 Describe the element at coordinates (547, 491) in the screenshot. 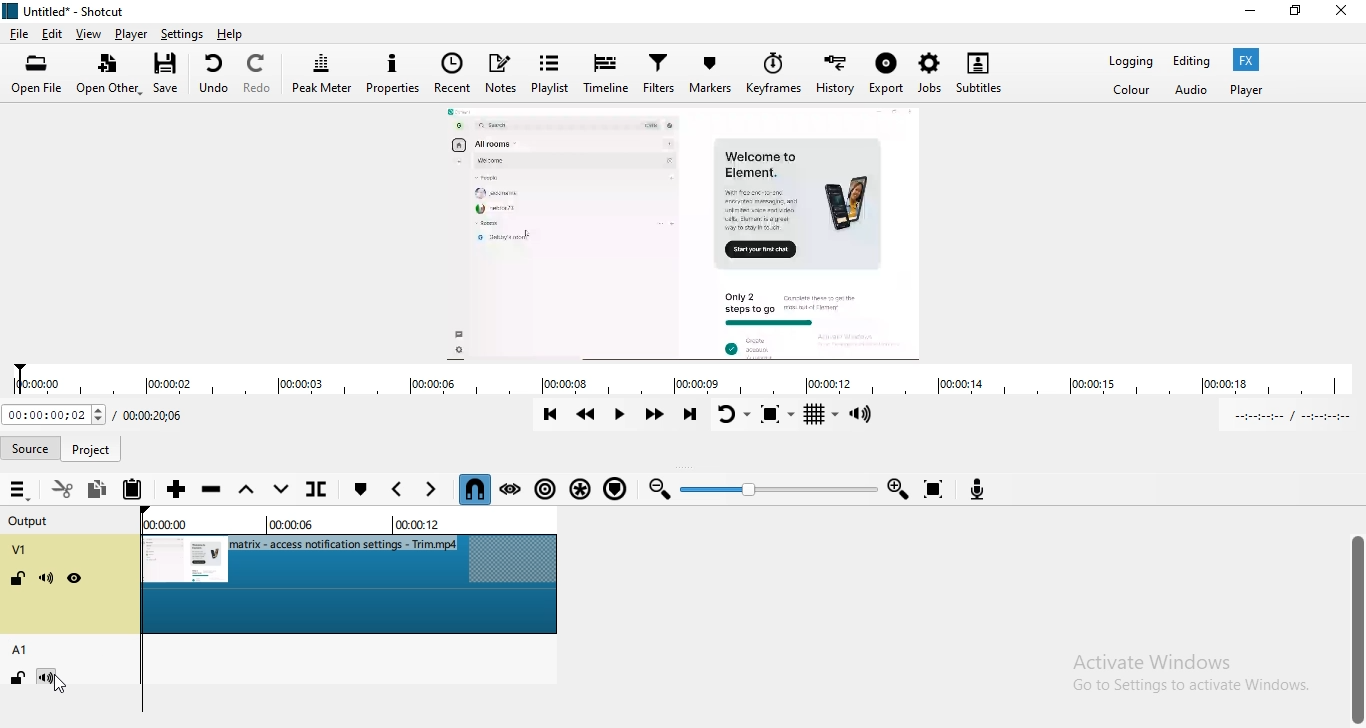

I see `Ripple` at that location.